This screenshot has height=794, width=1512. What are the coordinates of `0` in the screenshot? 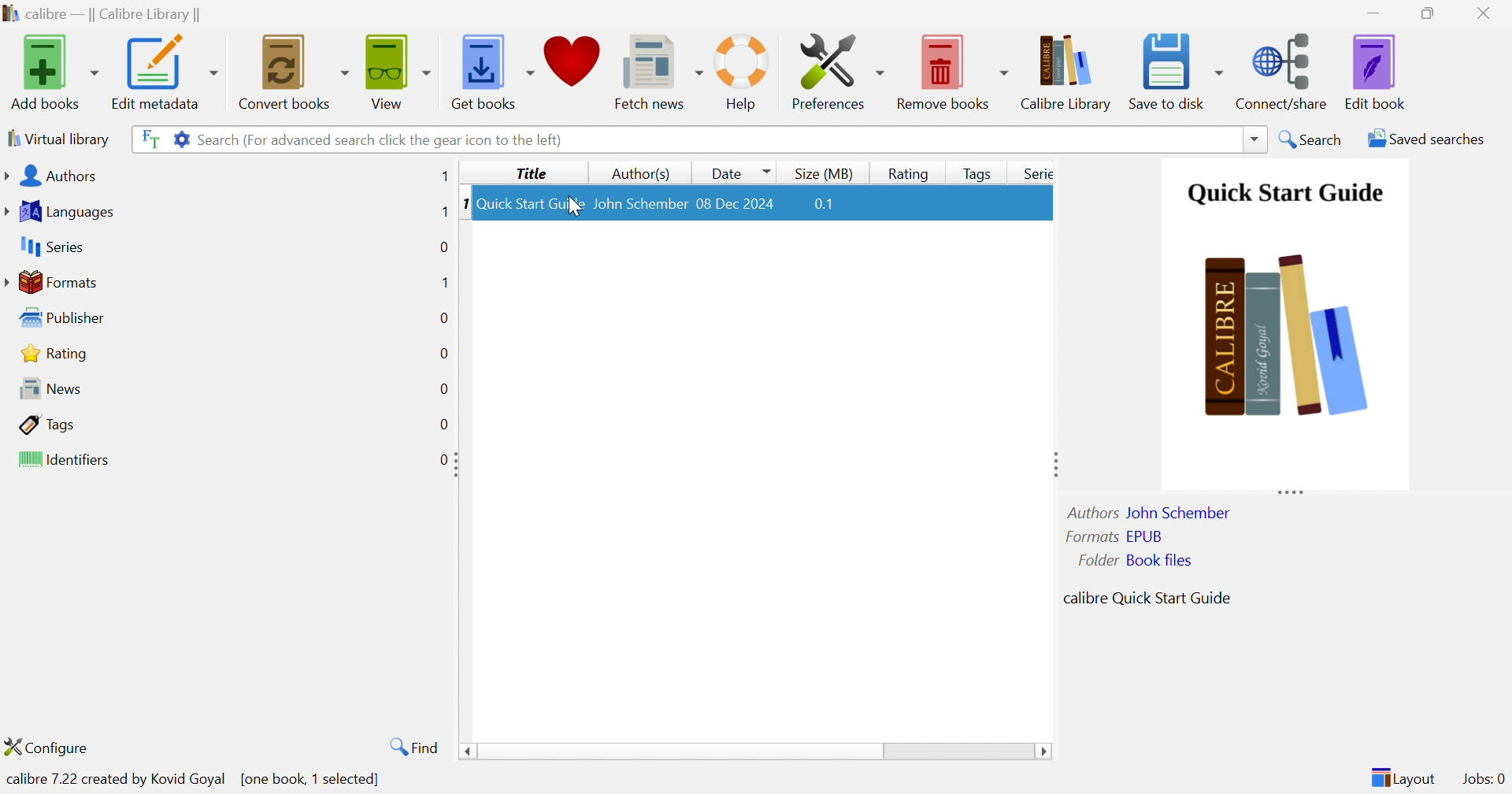 It's located at (443, 354).